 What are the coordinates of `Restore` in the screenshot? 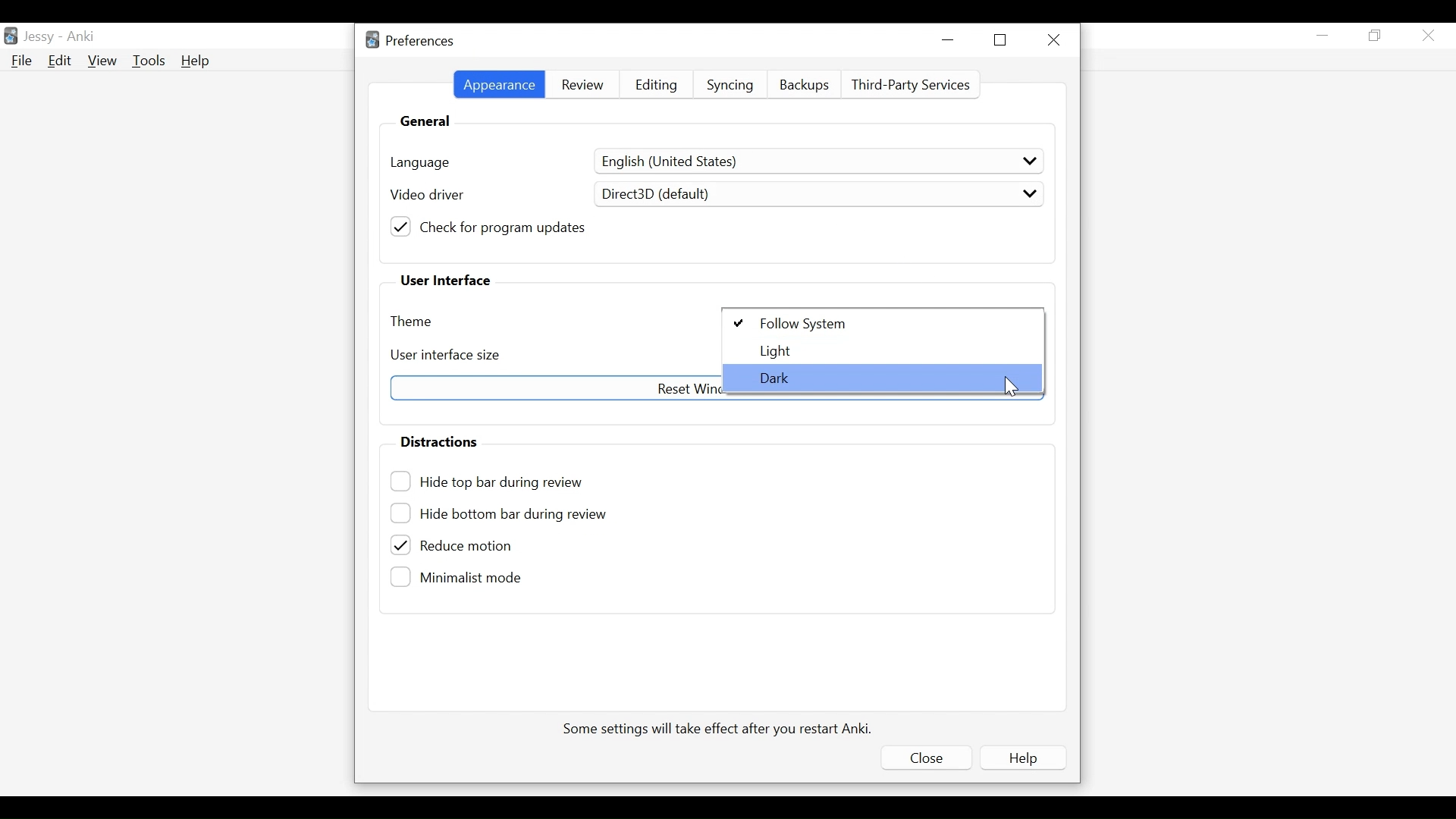 It's located at (1377, 36).